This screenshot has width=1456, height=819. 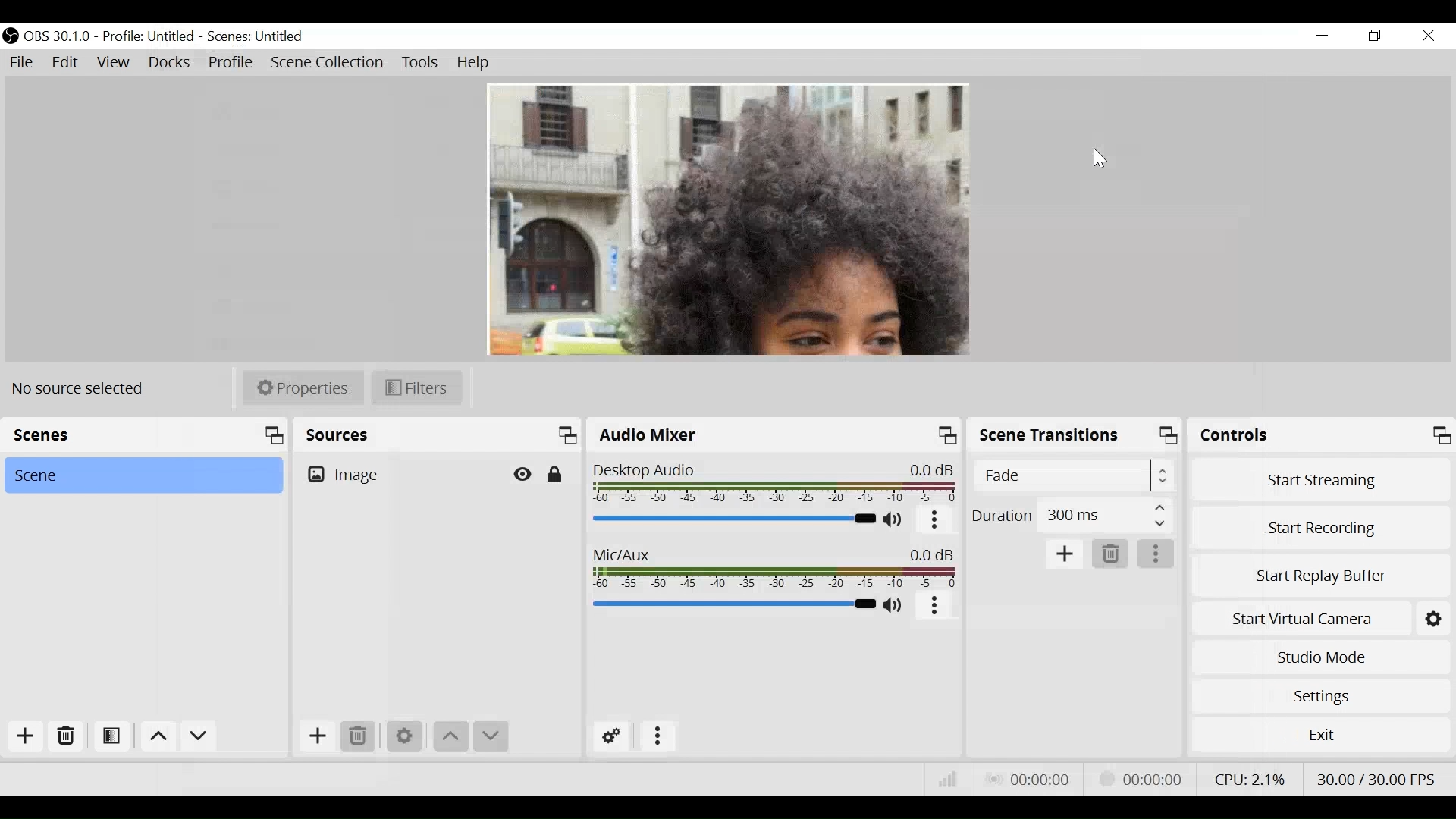 I want to click on Move Down, so click(x=197, y=738).